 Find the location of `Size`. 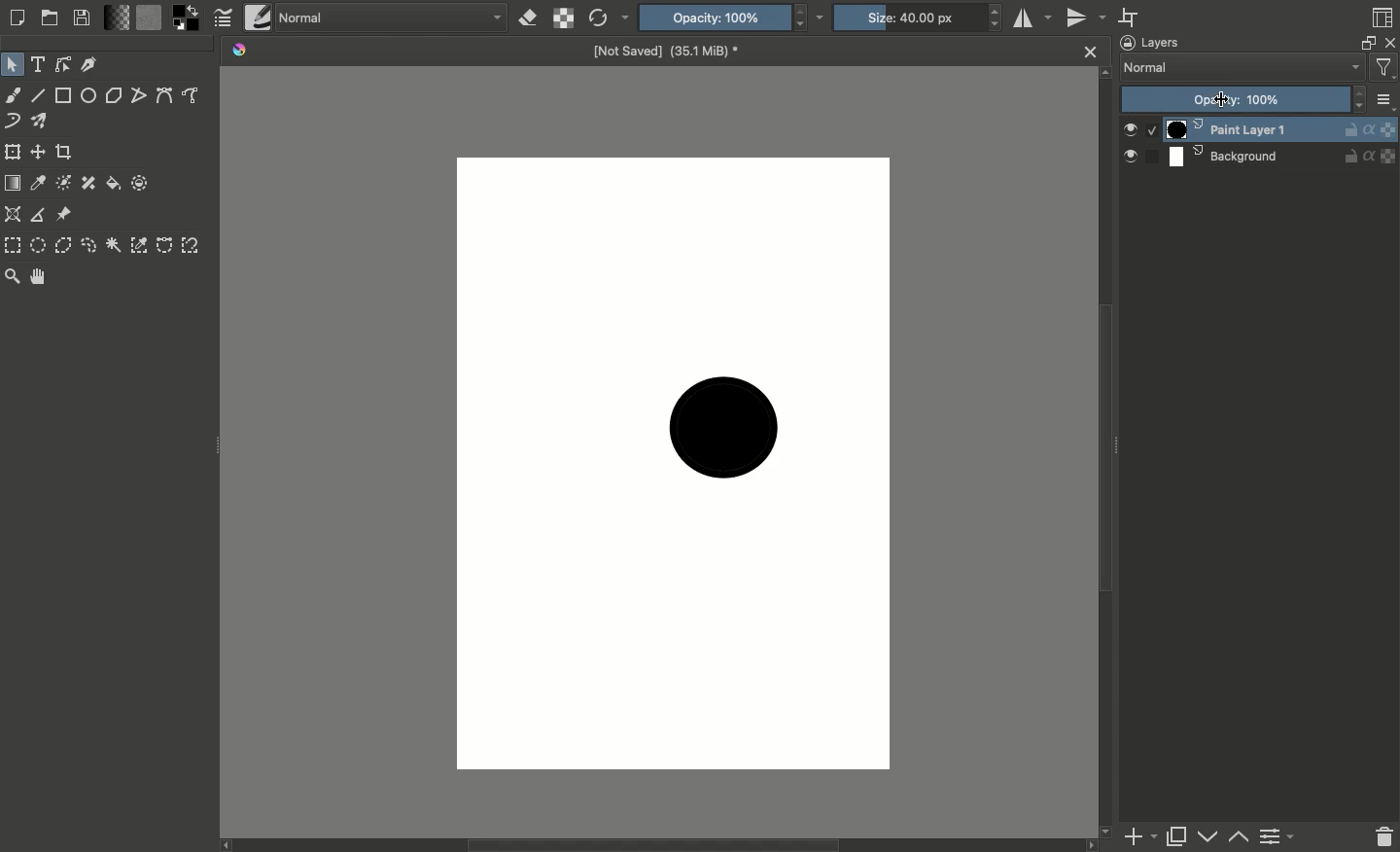

Size is located at coordinates (921, 18).